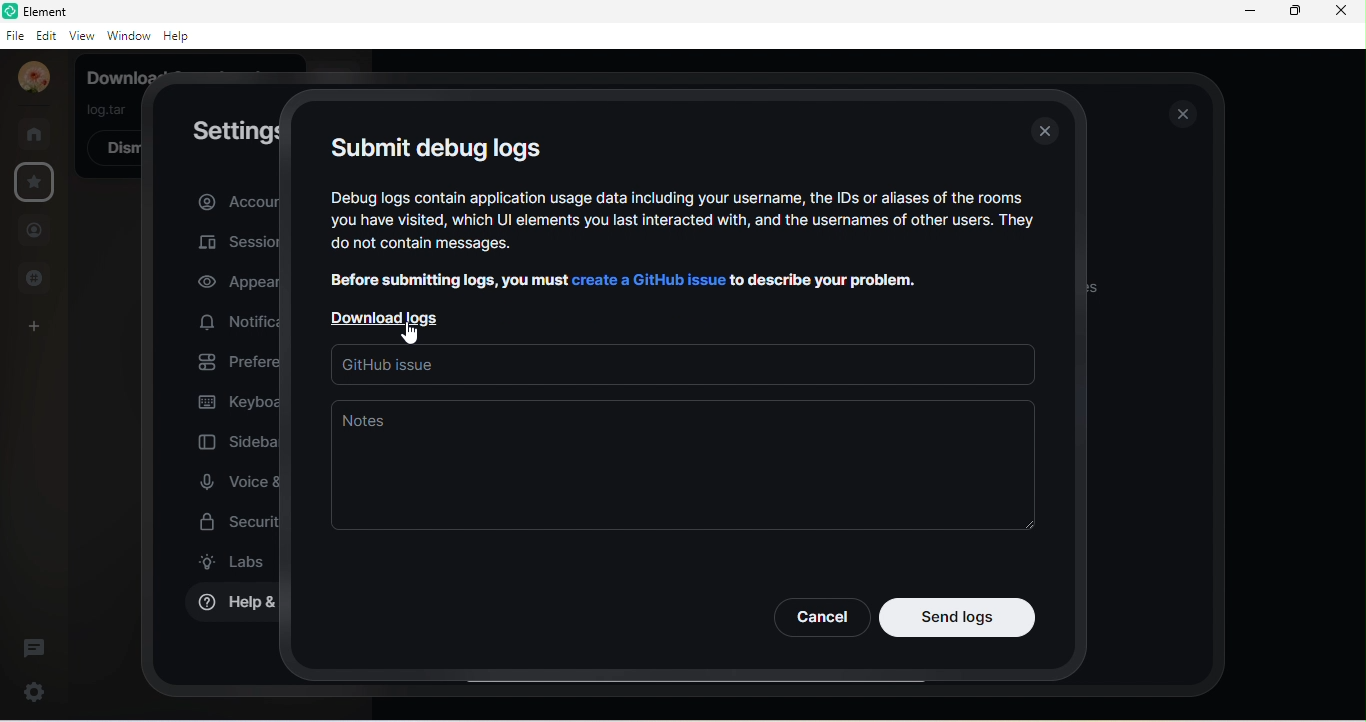 The height and width of the screenshot is (722, 1366). What do you see at coordinates (1246, 12) in the screenshot?
I see `minimize` at bounding box center [1246, 12].